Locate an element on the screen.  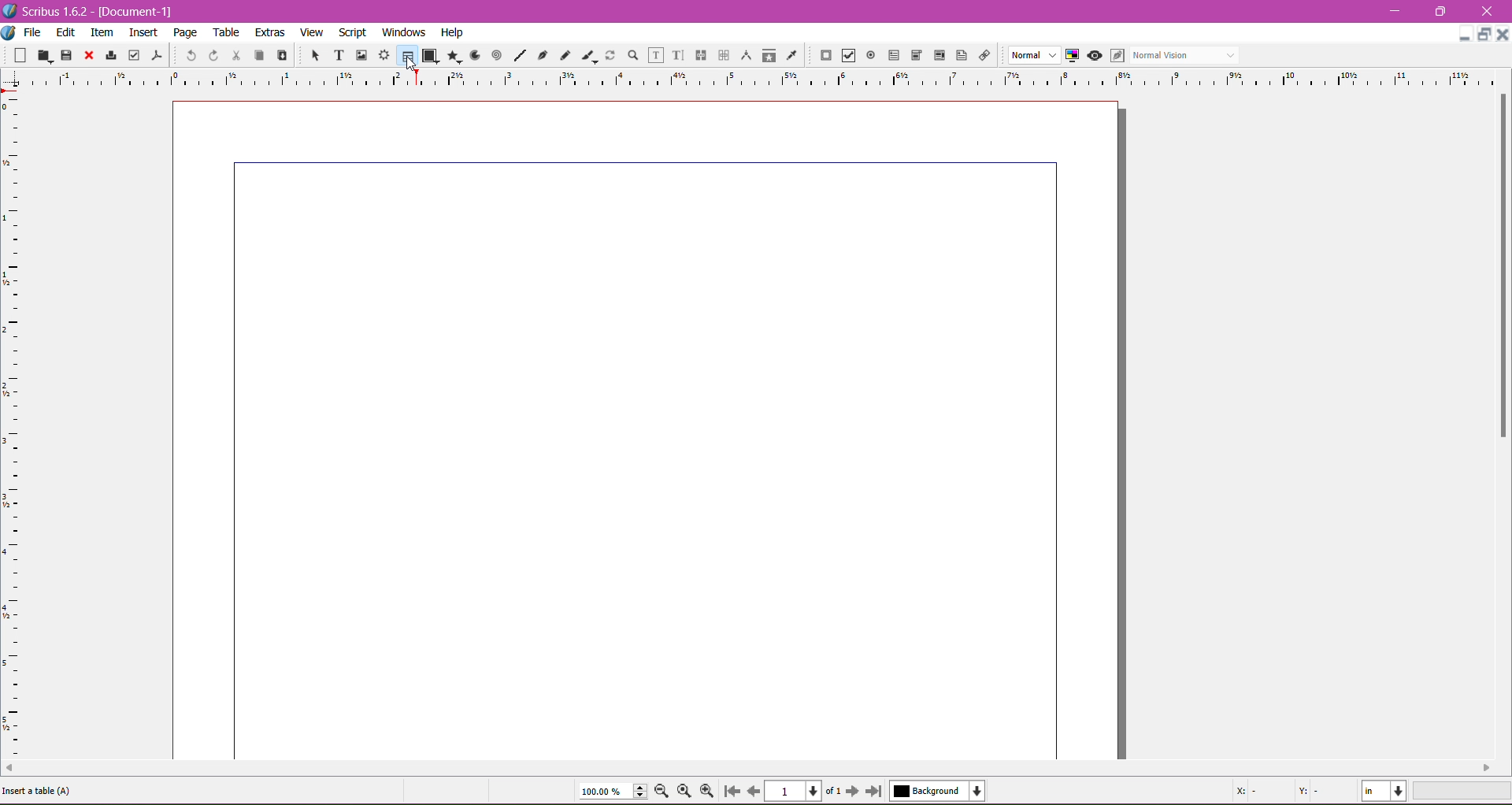
X: is located at coordinates (1249, 791).